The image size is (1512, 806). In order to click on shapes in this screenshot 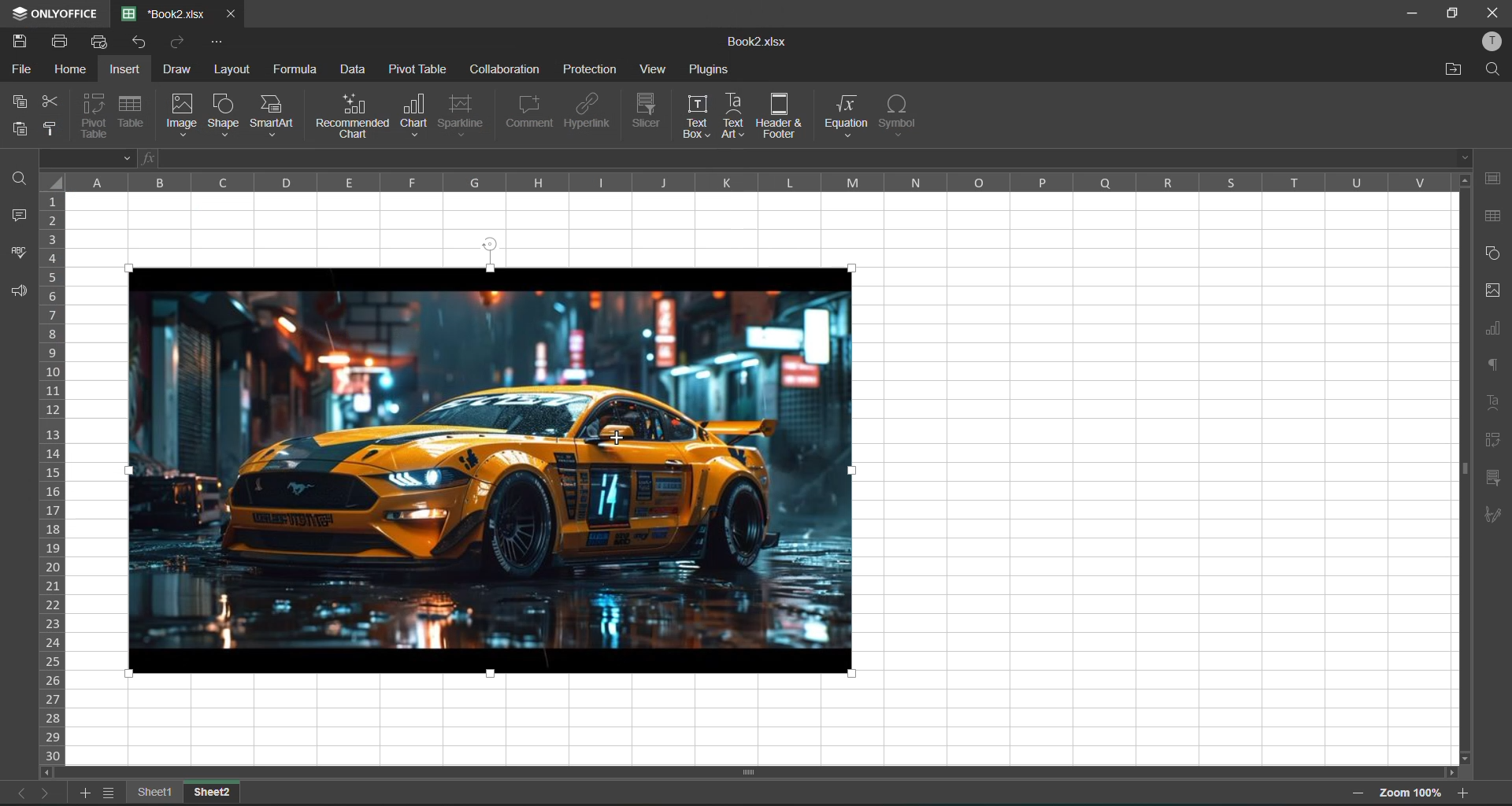, I will do `click(1492, 257)`.